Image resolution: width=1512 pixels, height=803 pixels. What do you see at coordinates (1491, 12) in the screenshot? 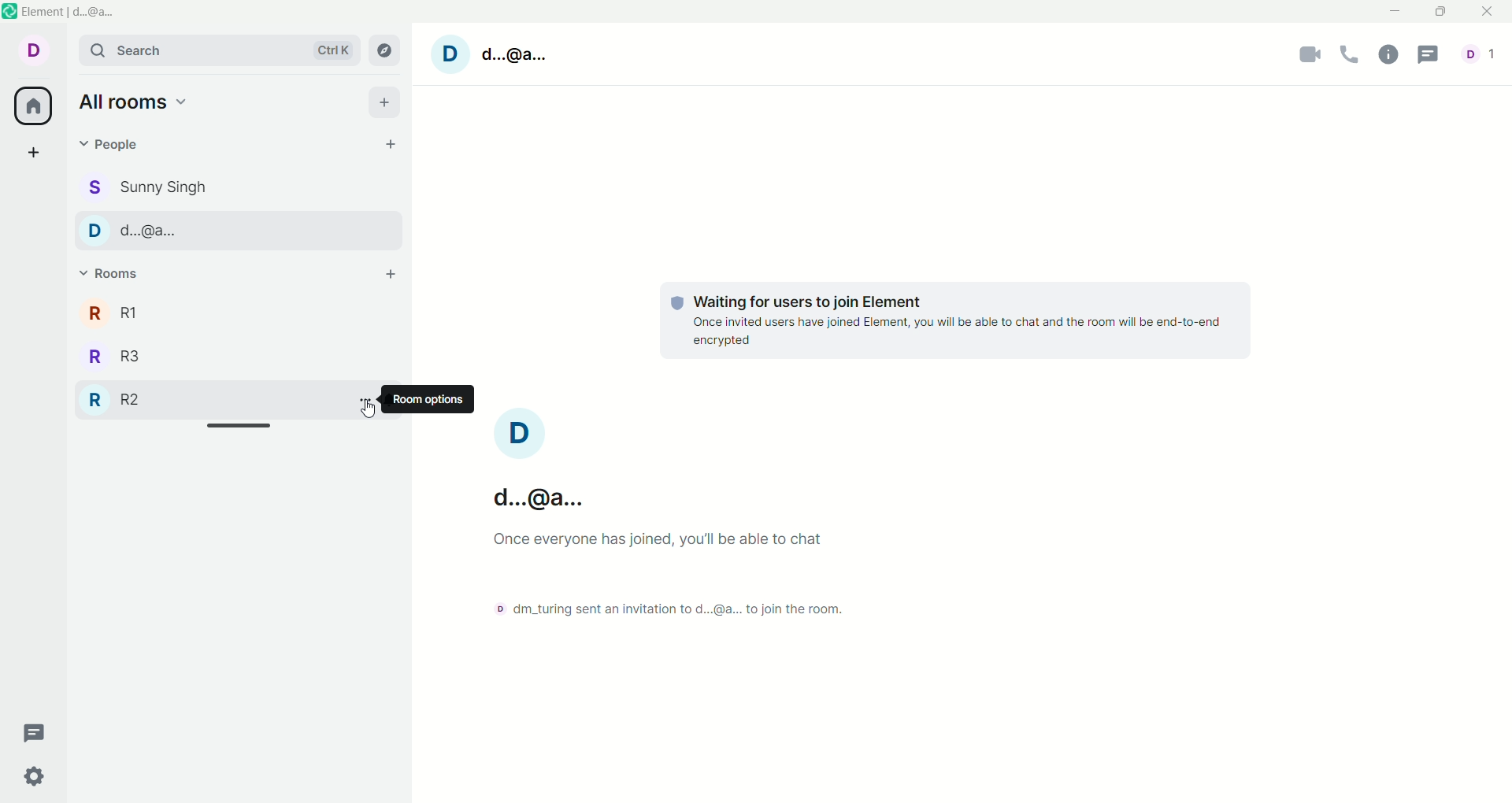
I see `close` at bounding box center [1491, 12].